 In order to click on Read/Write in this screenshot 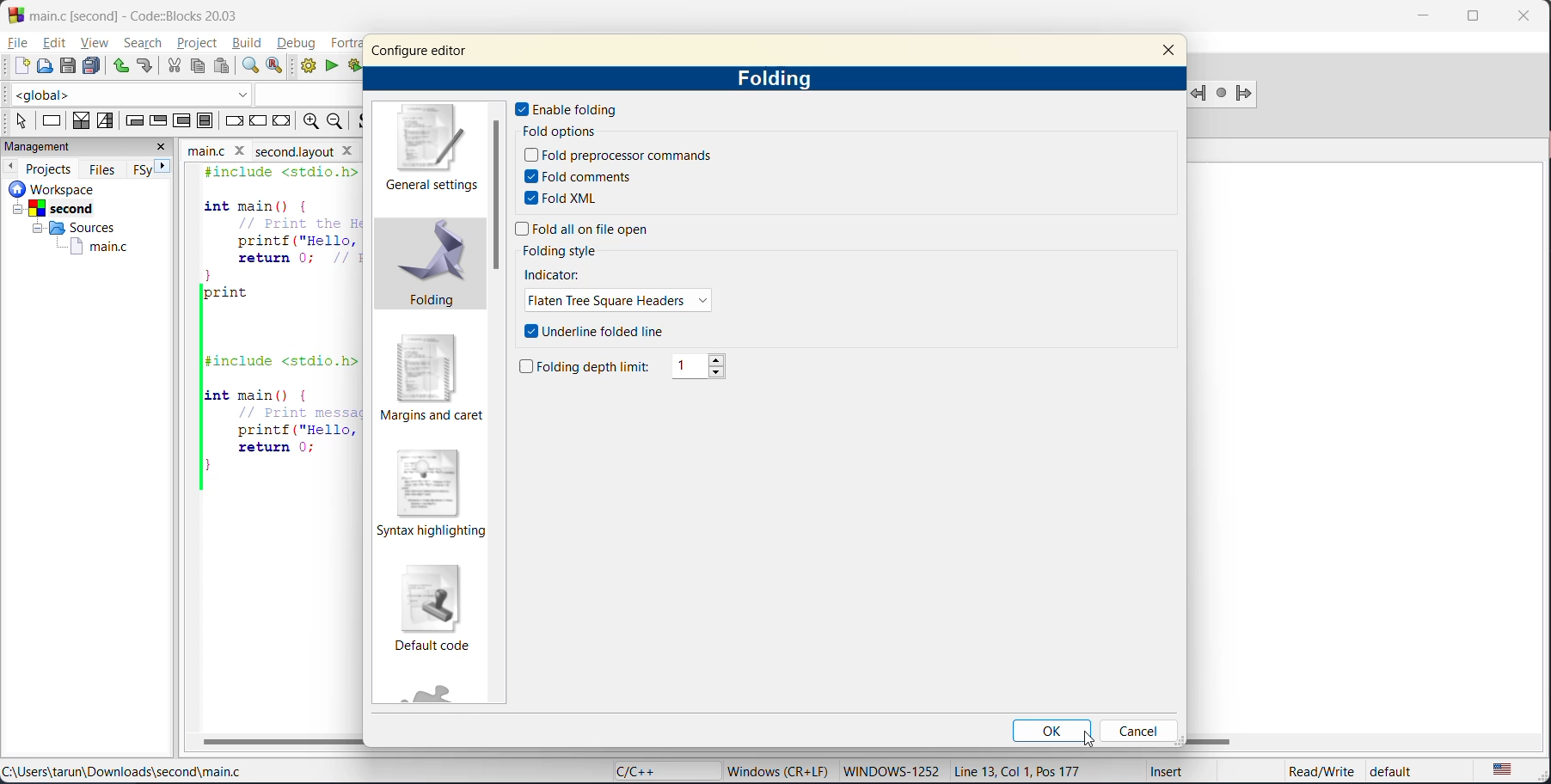, I will do `click(1303, 771)`.